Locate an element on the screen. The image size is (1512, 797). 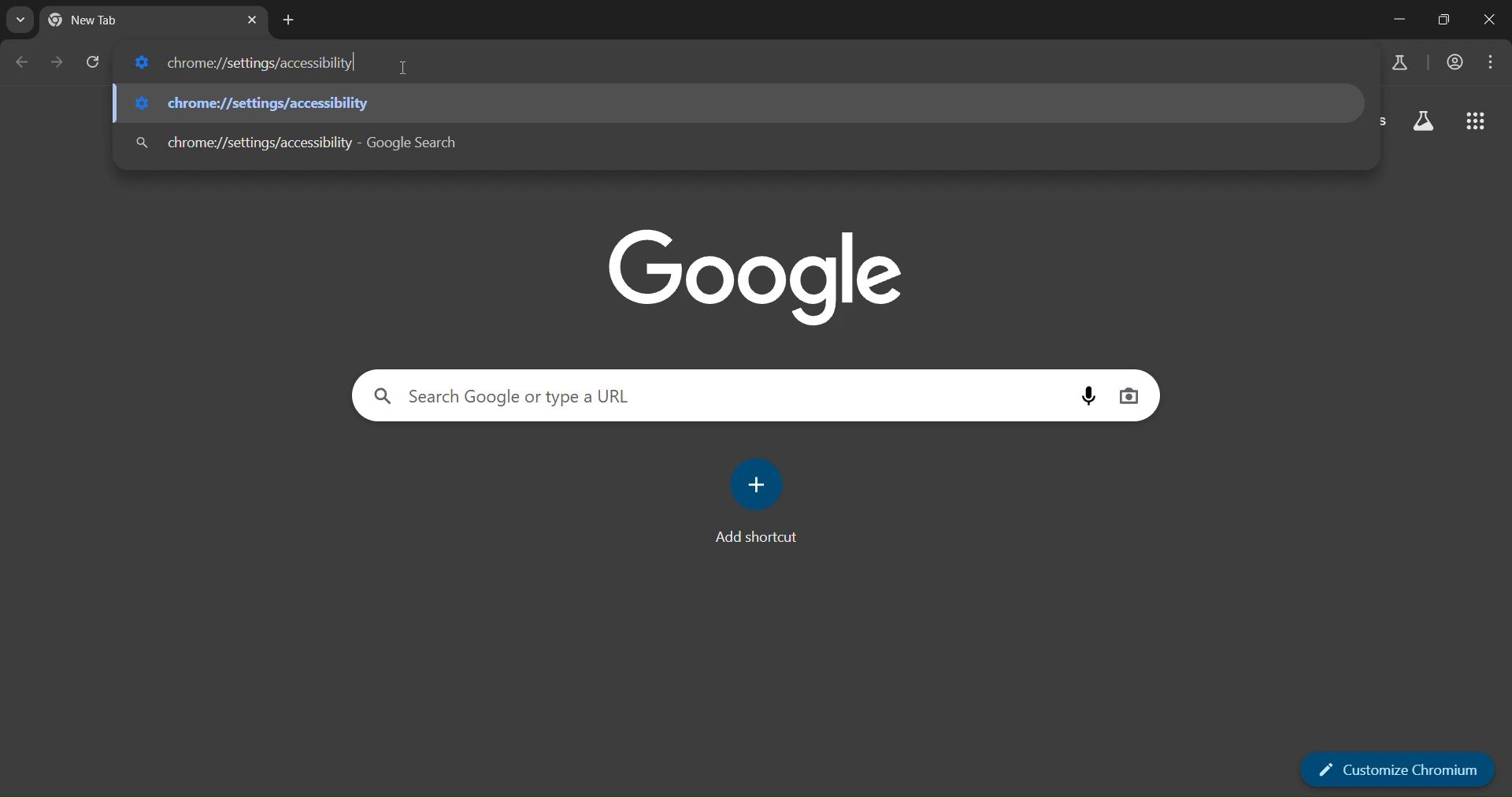
search tab is located at coordinates (20, 23).